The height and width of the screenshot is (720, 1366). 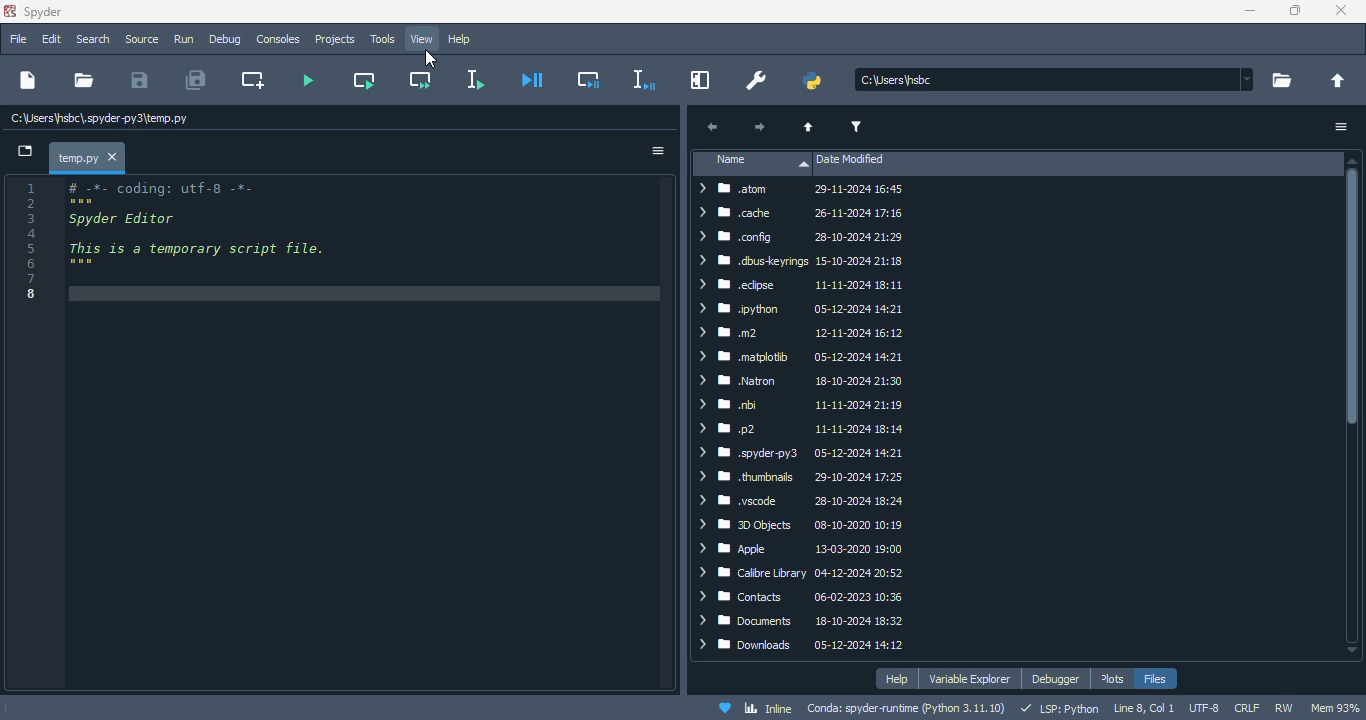 I want to click on minimize, so click(x=1248, y=11).